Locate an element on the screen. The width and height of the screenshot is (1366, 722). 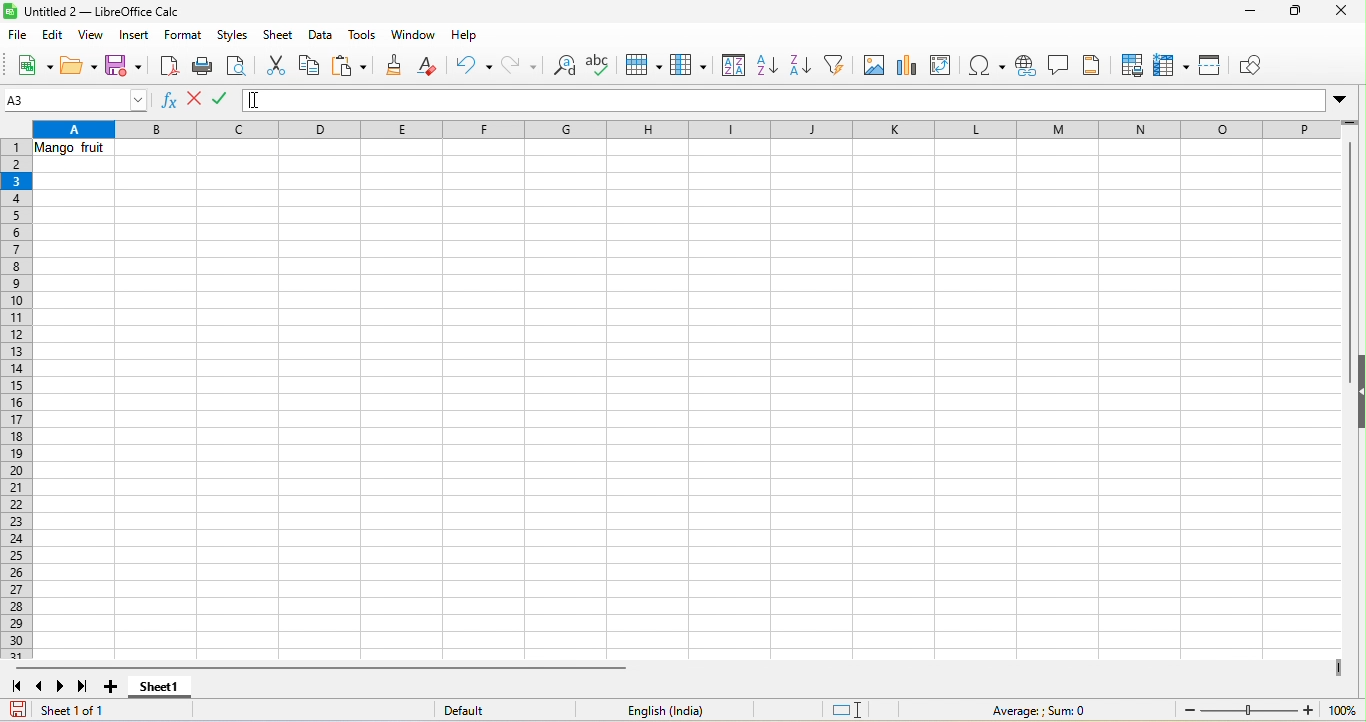
clone formatting is located at coordinates (393, 67).